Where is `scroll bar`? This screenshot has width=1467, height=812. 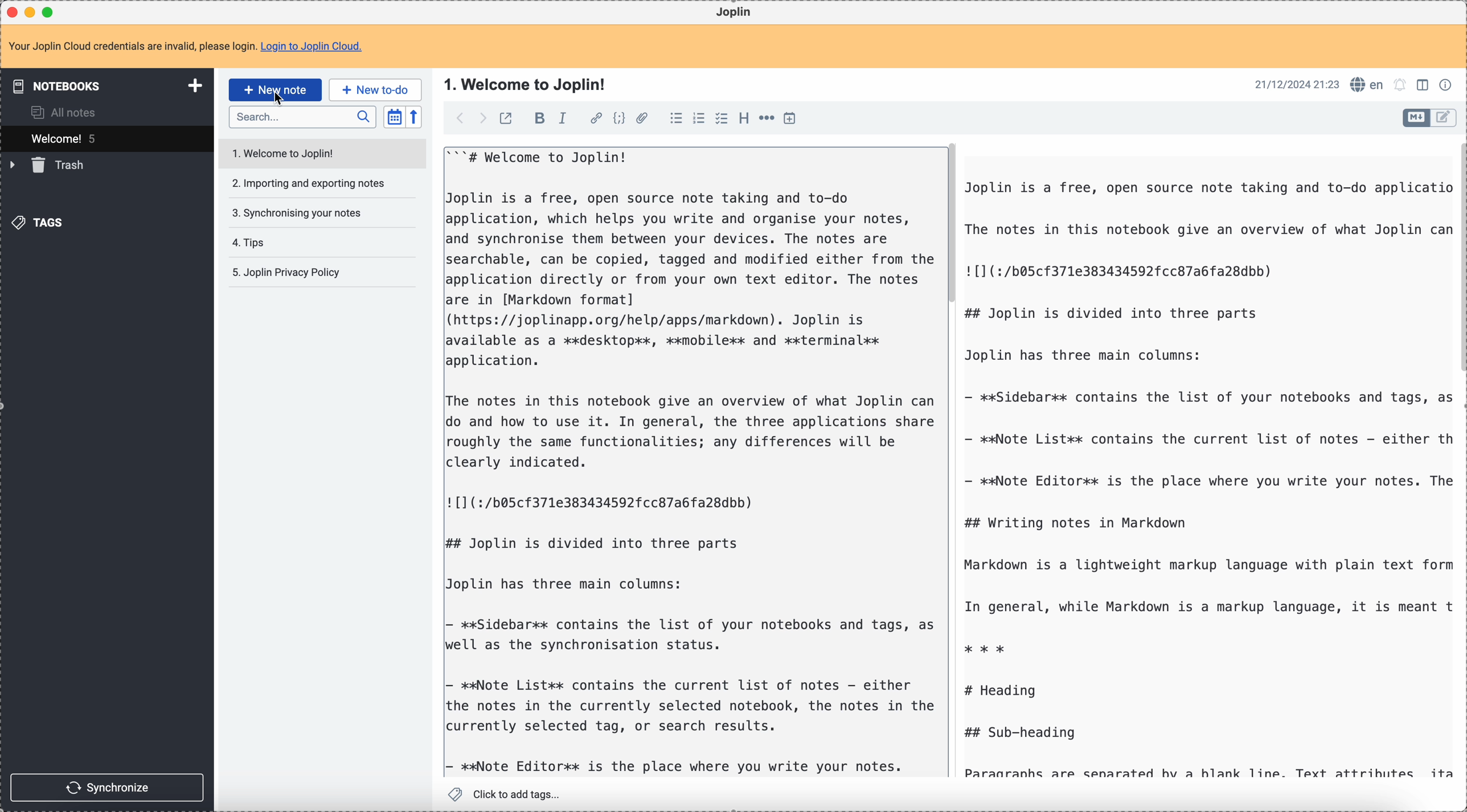 scroll bar is located at coordinates (1458, 259).